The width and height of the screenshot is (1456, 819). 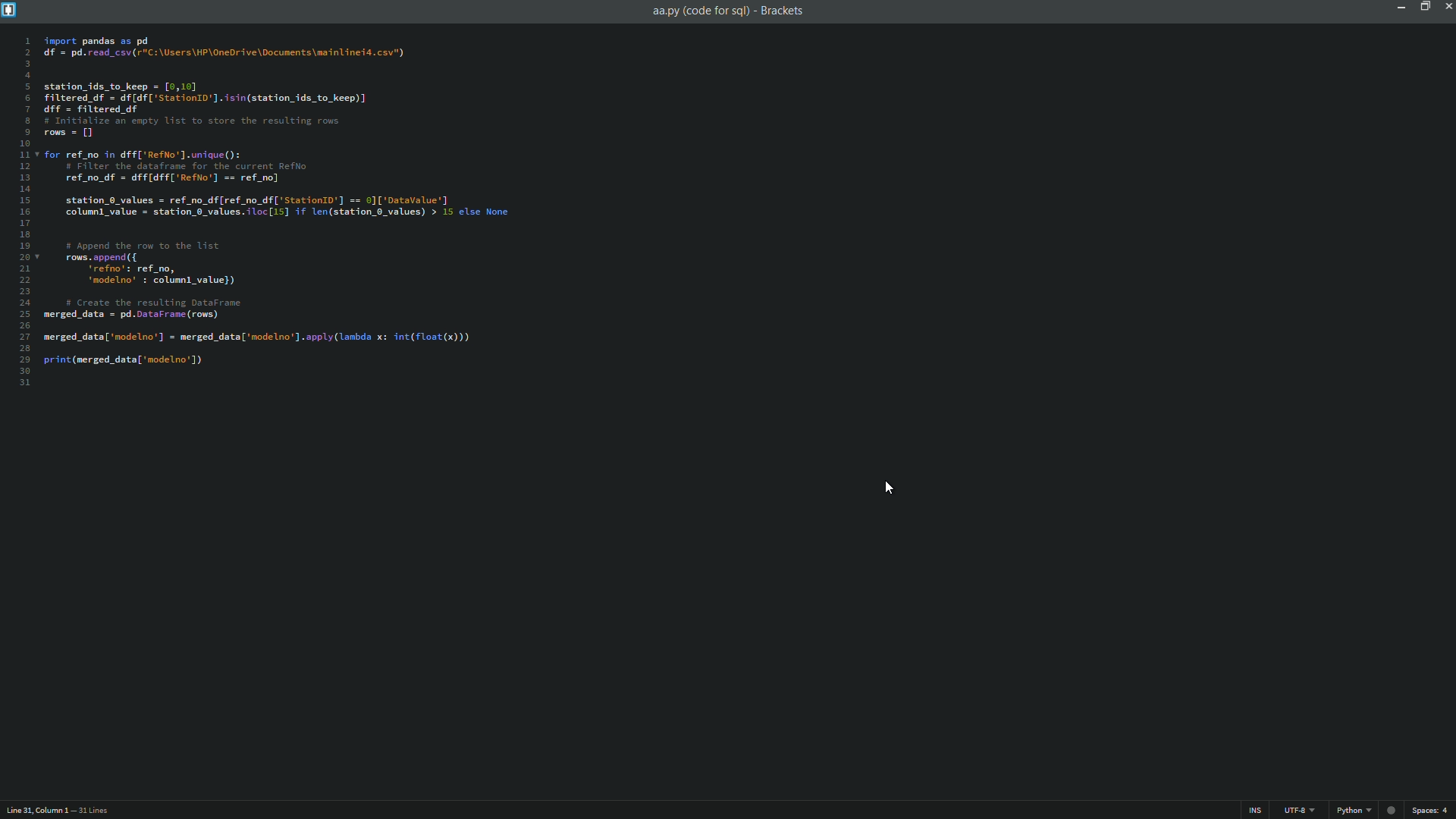 I want to click on close app, so click(x=1447, y=6).